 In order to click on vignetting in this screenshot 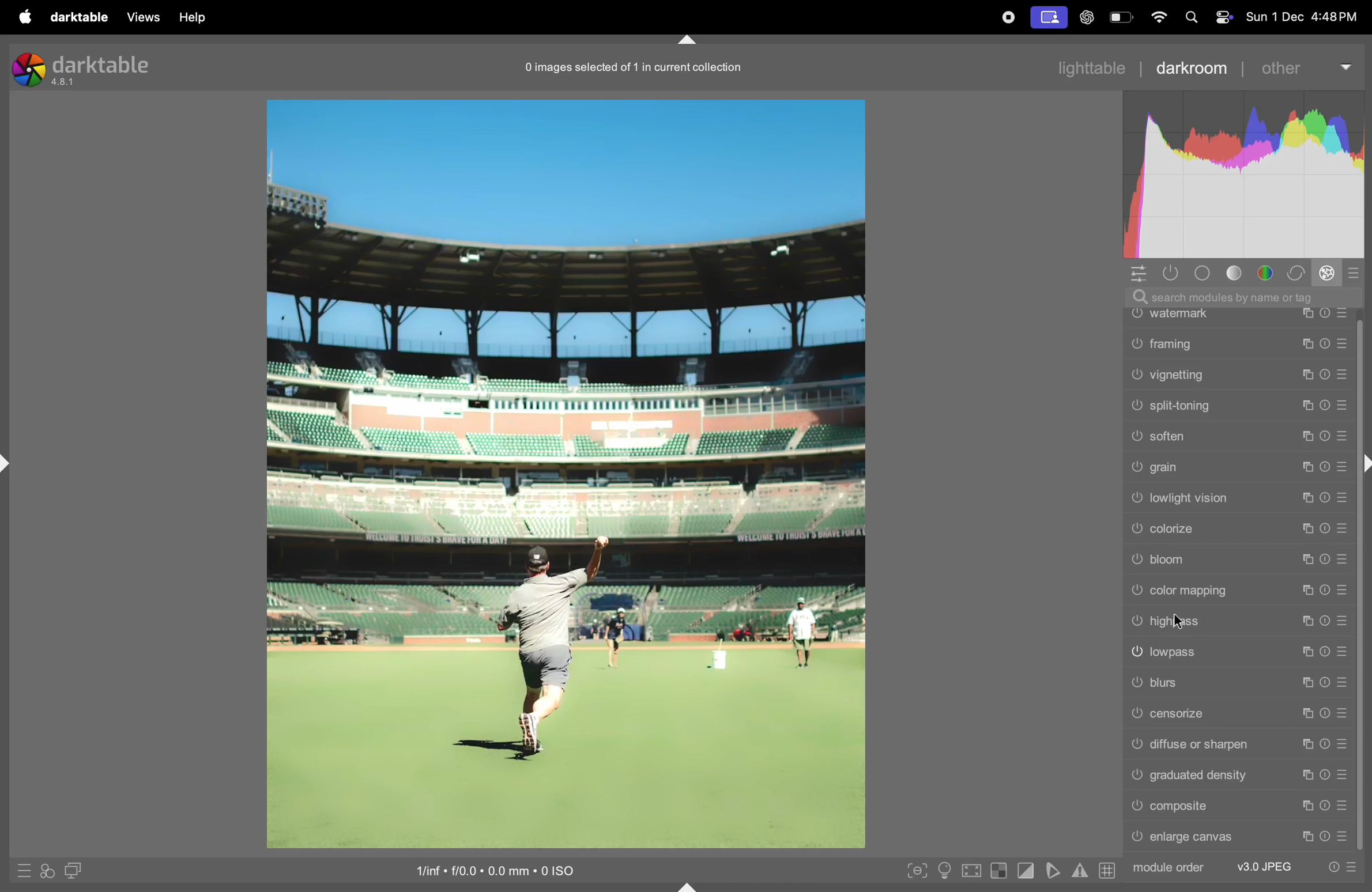, I will do `click(1238, 376)`.